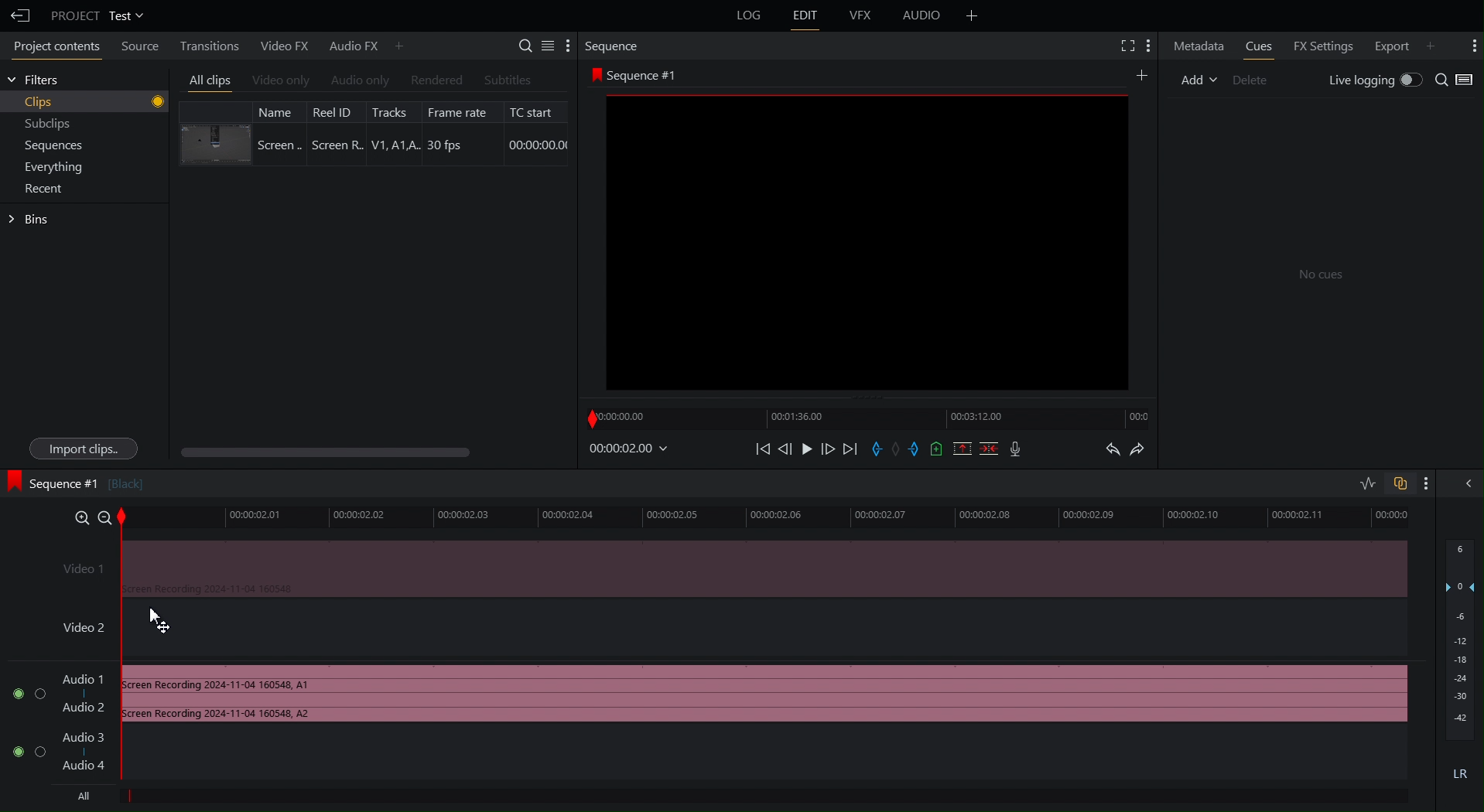  I want to click on Audio Levels, so click(1460, 666).